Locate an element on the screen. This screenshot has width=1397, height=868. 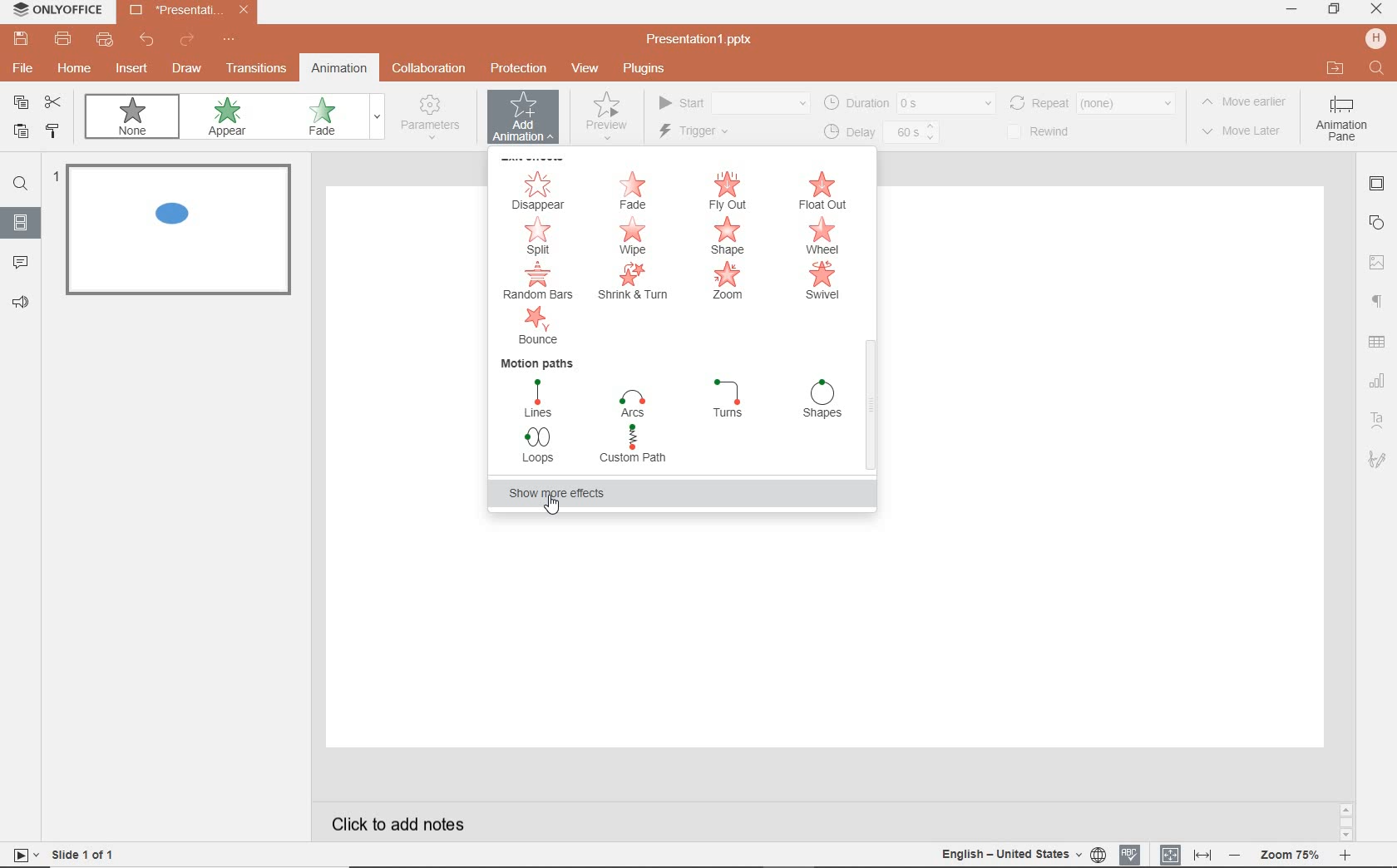
Animation pane is located at coordinates (1341, 121).